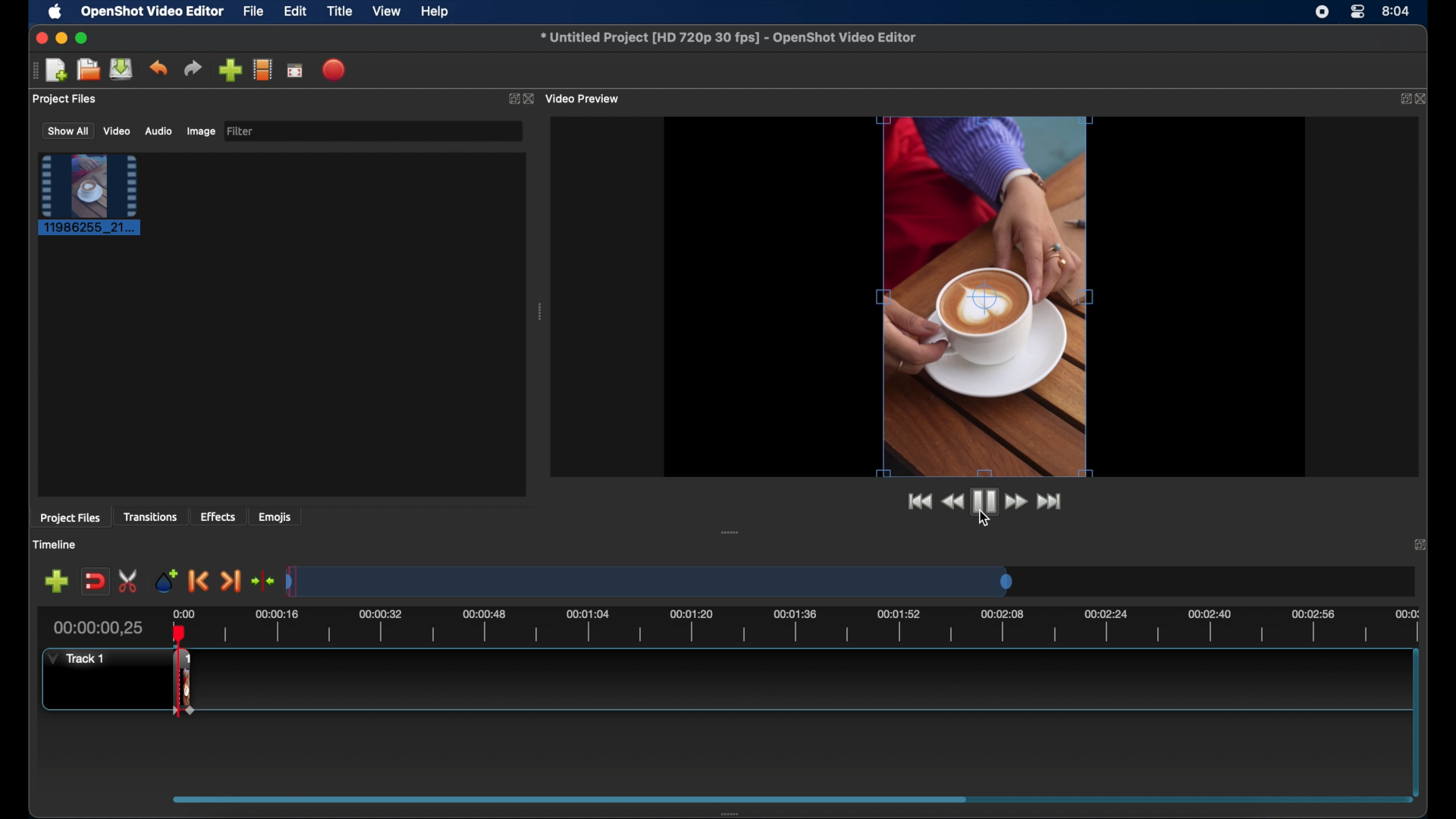 The width and height of the screenshot is (1456, 819). I want to click on 0.00, so click(184, 612).